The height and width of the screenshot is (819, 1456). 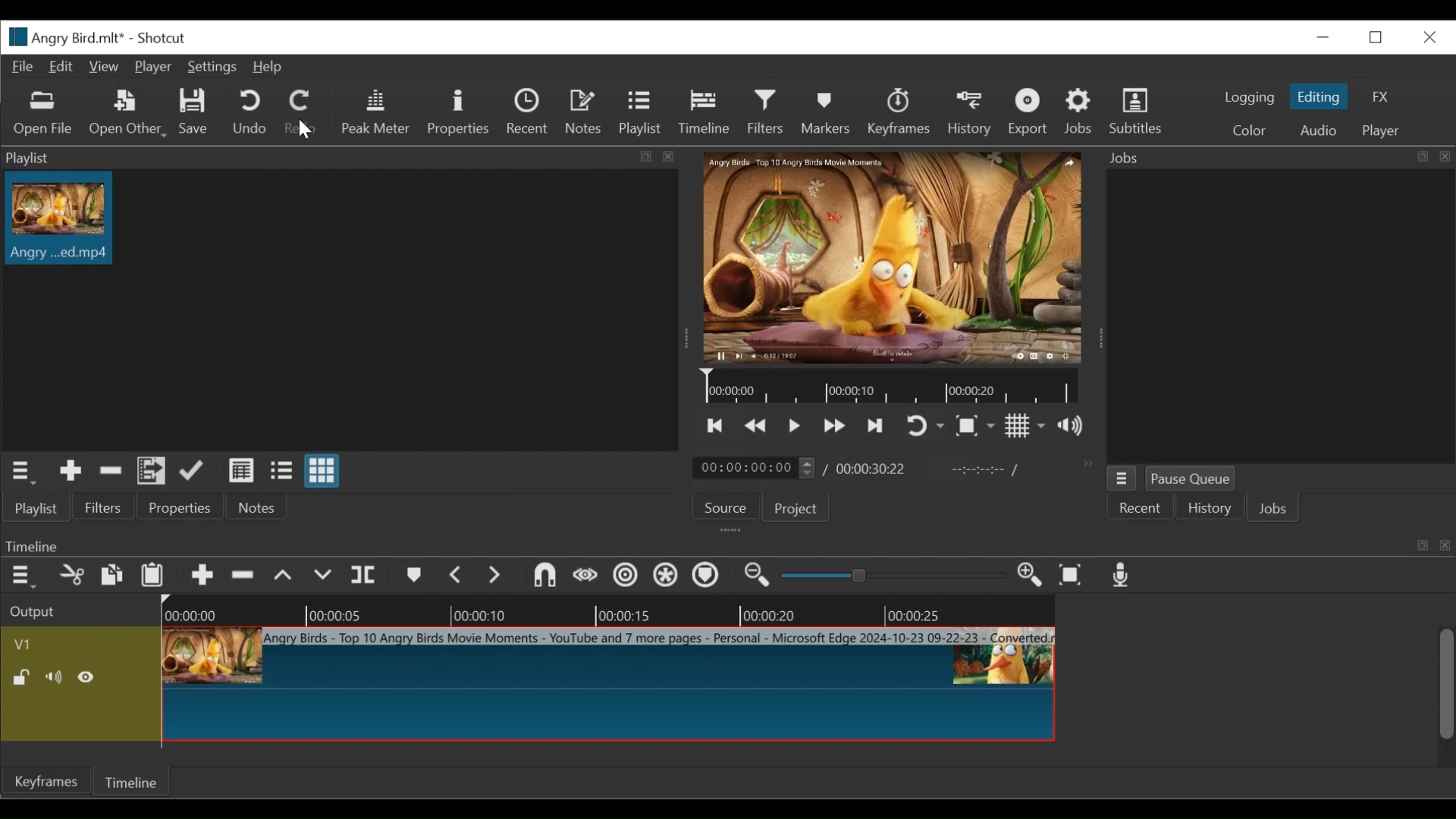 What do you see at coordinates (372, 111) in the screenshot?
I see `Peak Meter` at bounding box center [372, 111].